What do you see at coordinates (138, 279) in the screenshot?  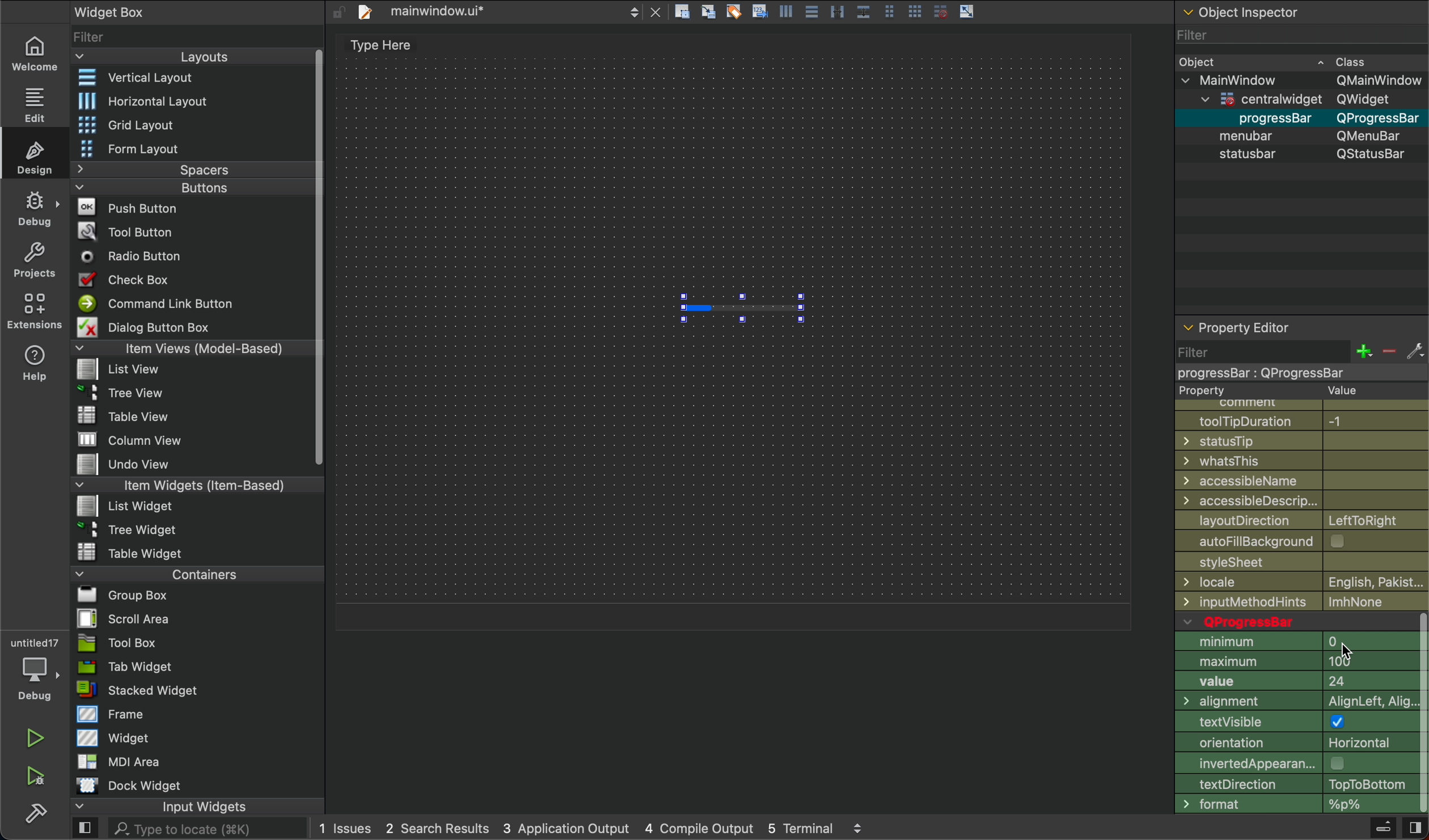 I see `Check Box` at bounding box center [138, 279].